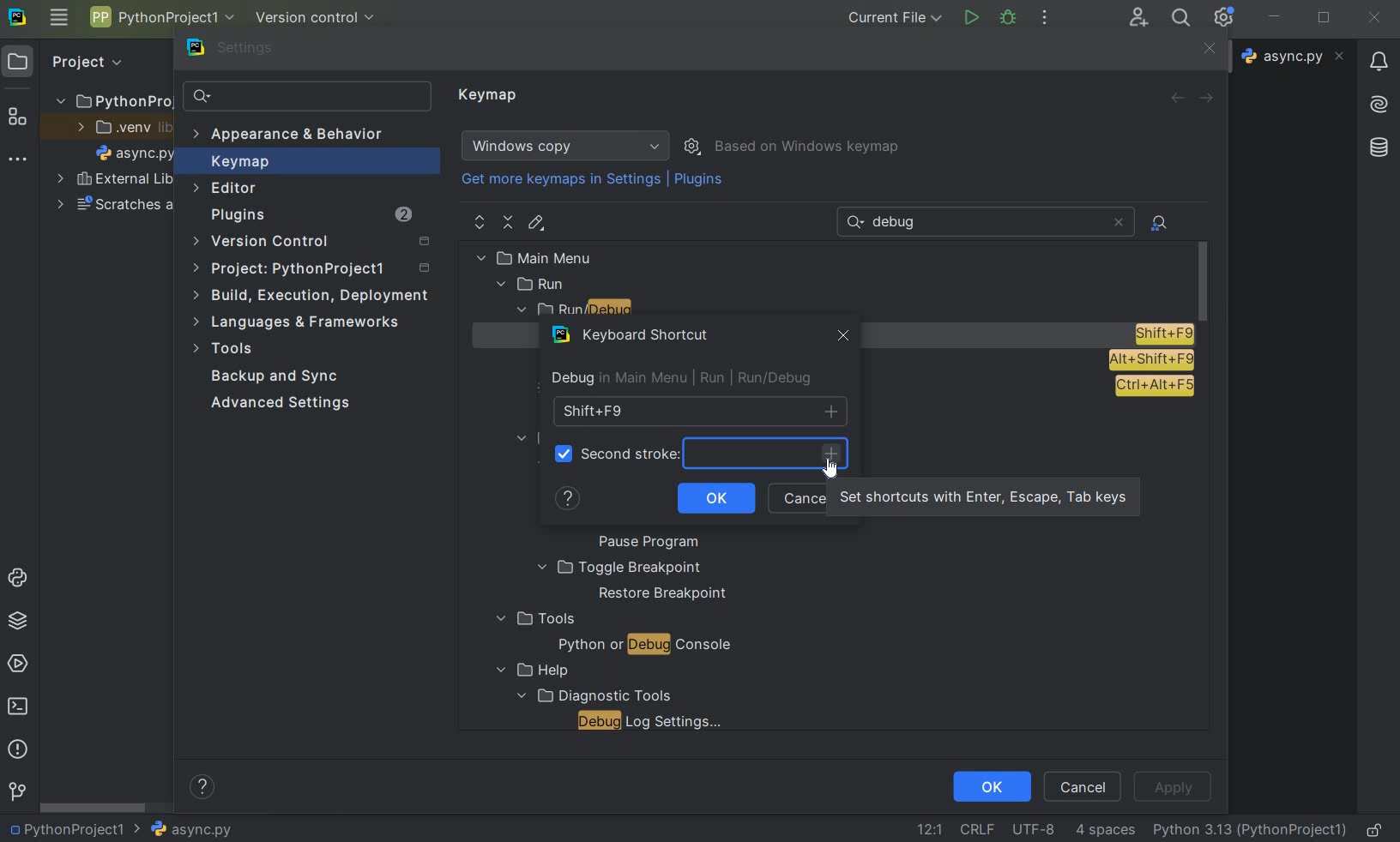 This screenshot has width=1400, height=842. I want to click on file name, so click(183, 829).